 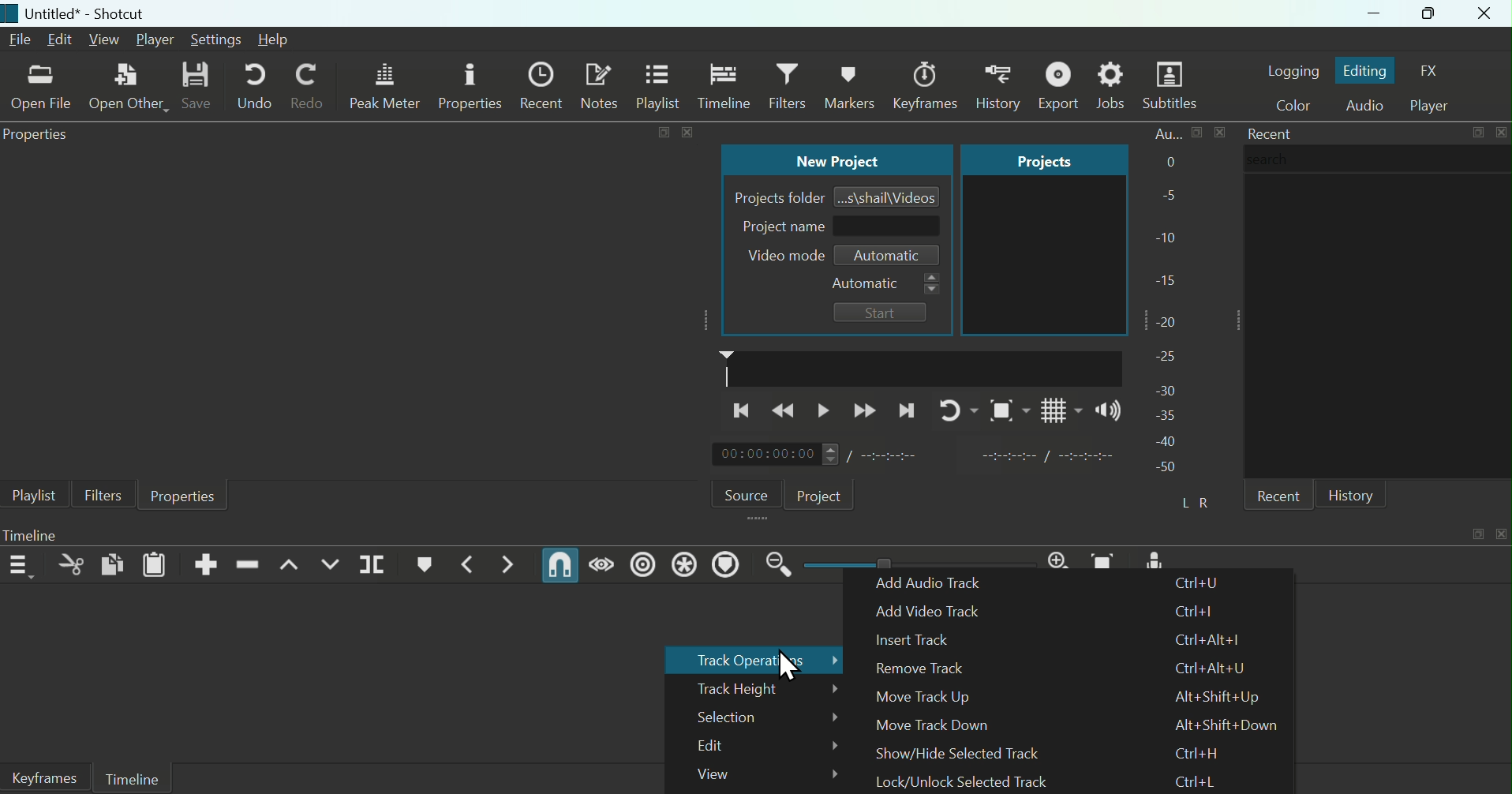 What do you see at coordinates (1436, 71) in the screenshot?
I see `FX` at bounding box center [1436, 71].